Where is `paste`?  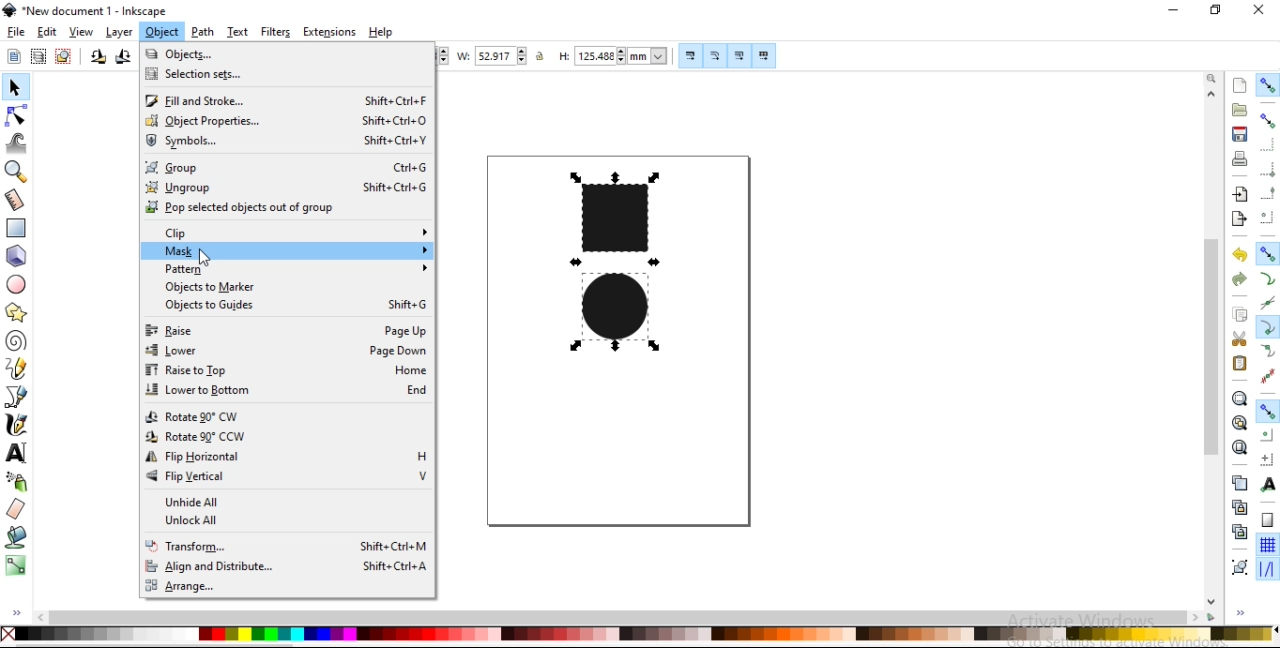 paste is located at coordinates (1240, 364).